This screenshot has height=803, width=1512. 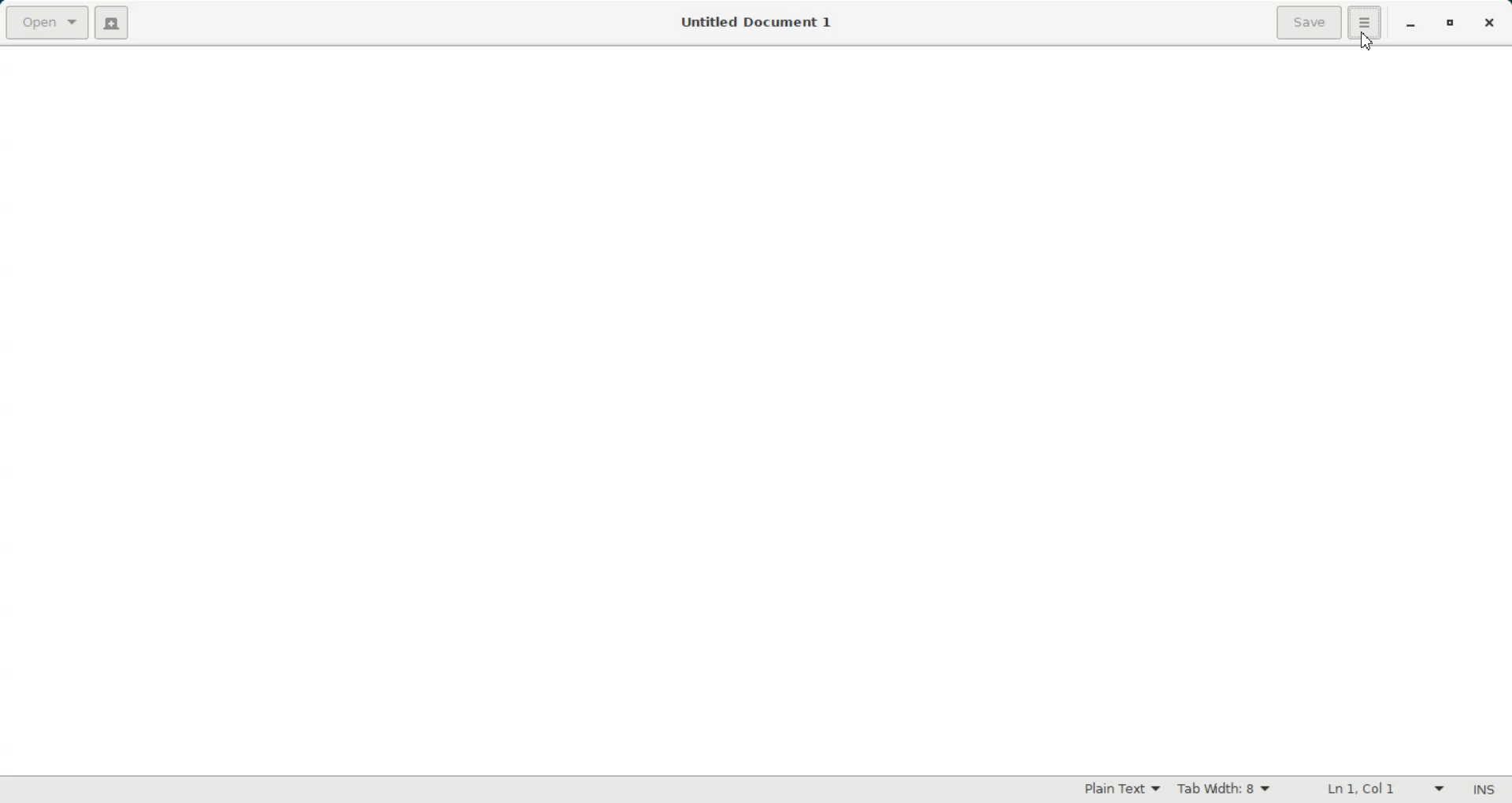 I want to click on Close, so click(x=1489, y=22).